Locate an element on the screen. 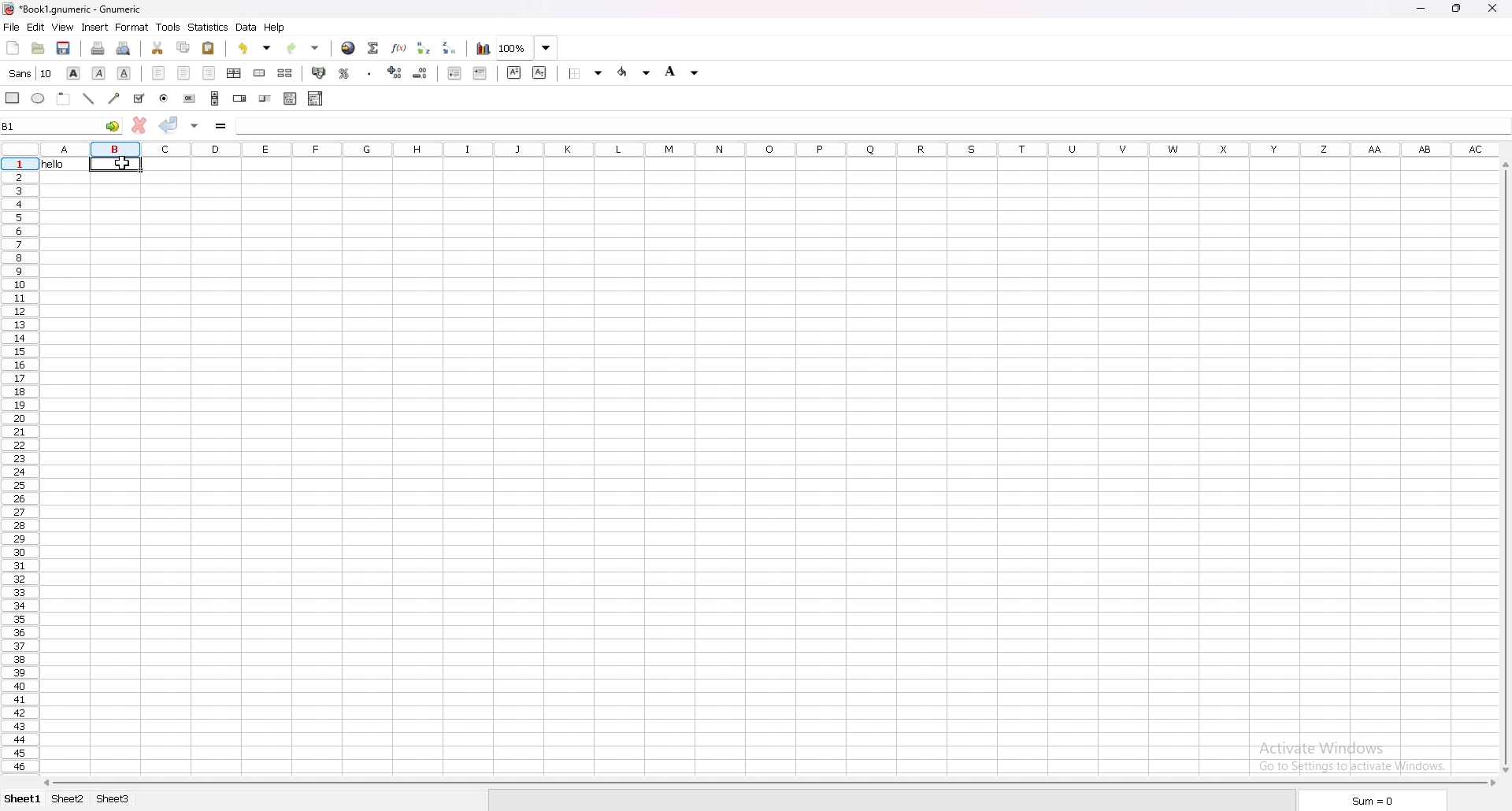  selected cell is located at coordinates (63, 124).